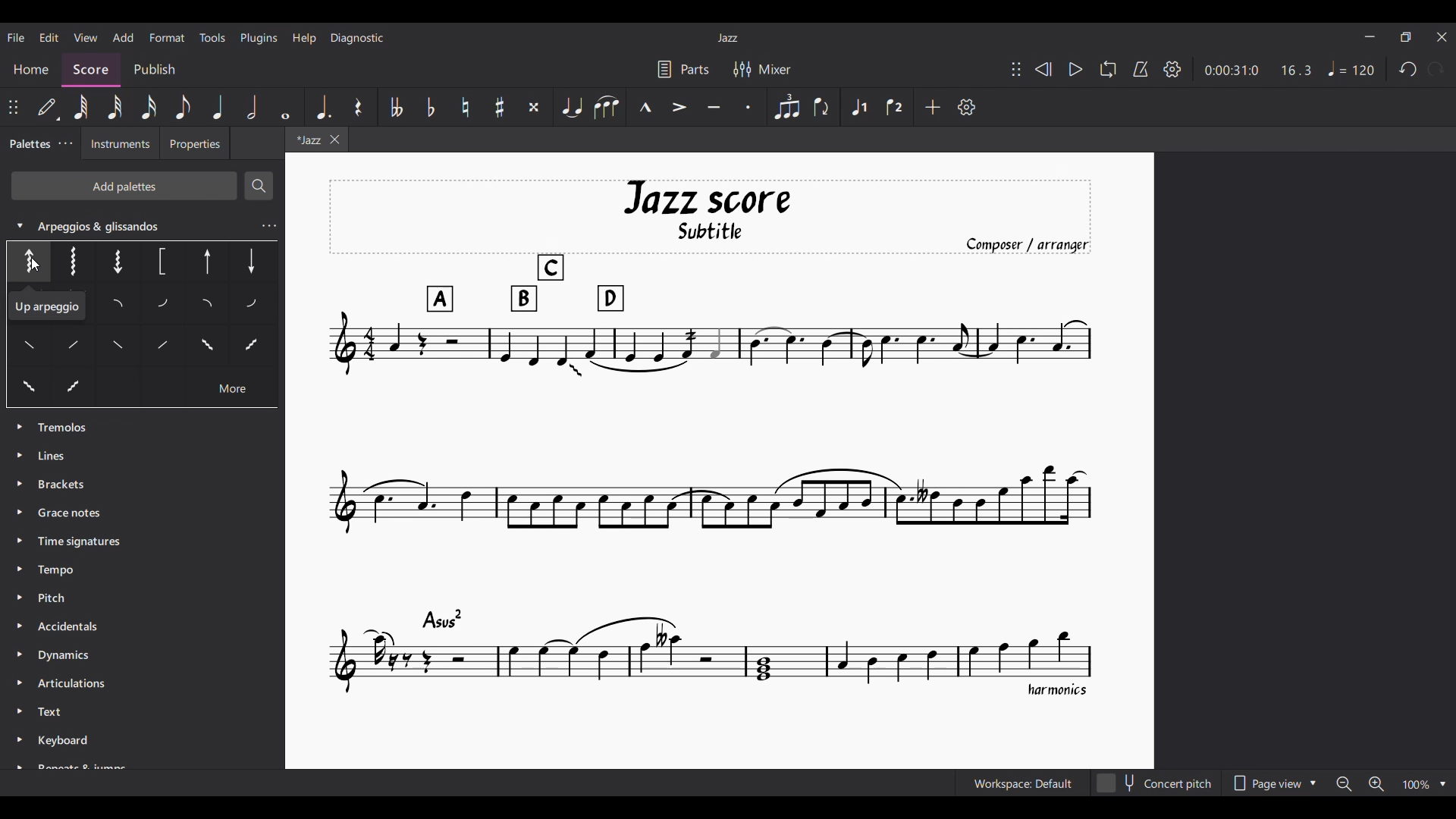 The width and height of the screenshot is (1456, 819). I want to click on Default, so click(50, 105).